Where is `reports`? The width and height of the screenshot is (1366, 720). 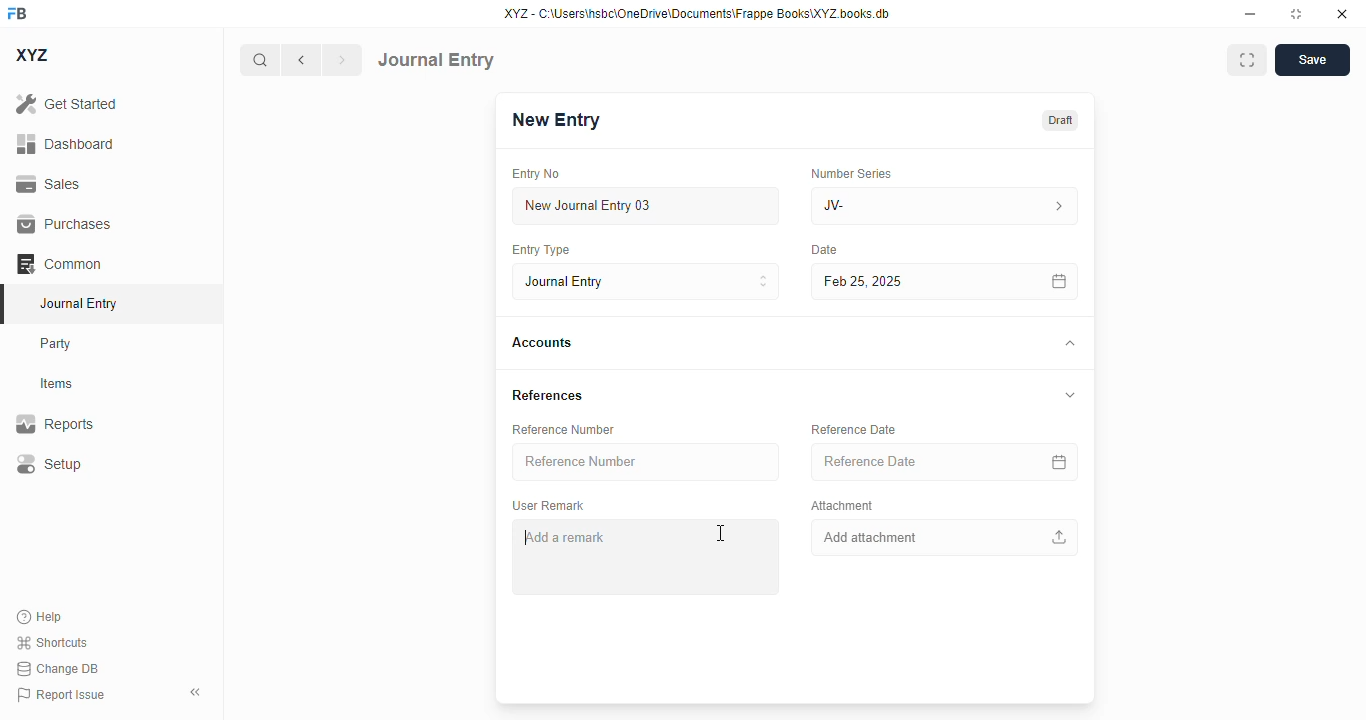
reports is located at coordinates (55, 423).